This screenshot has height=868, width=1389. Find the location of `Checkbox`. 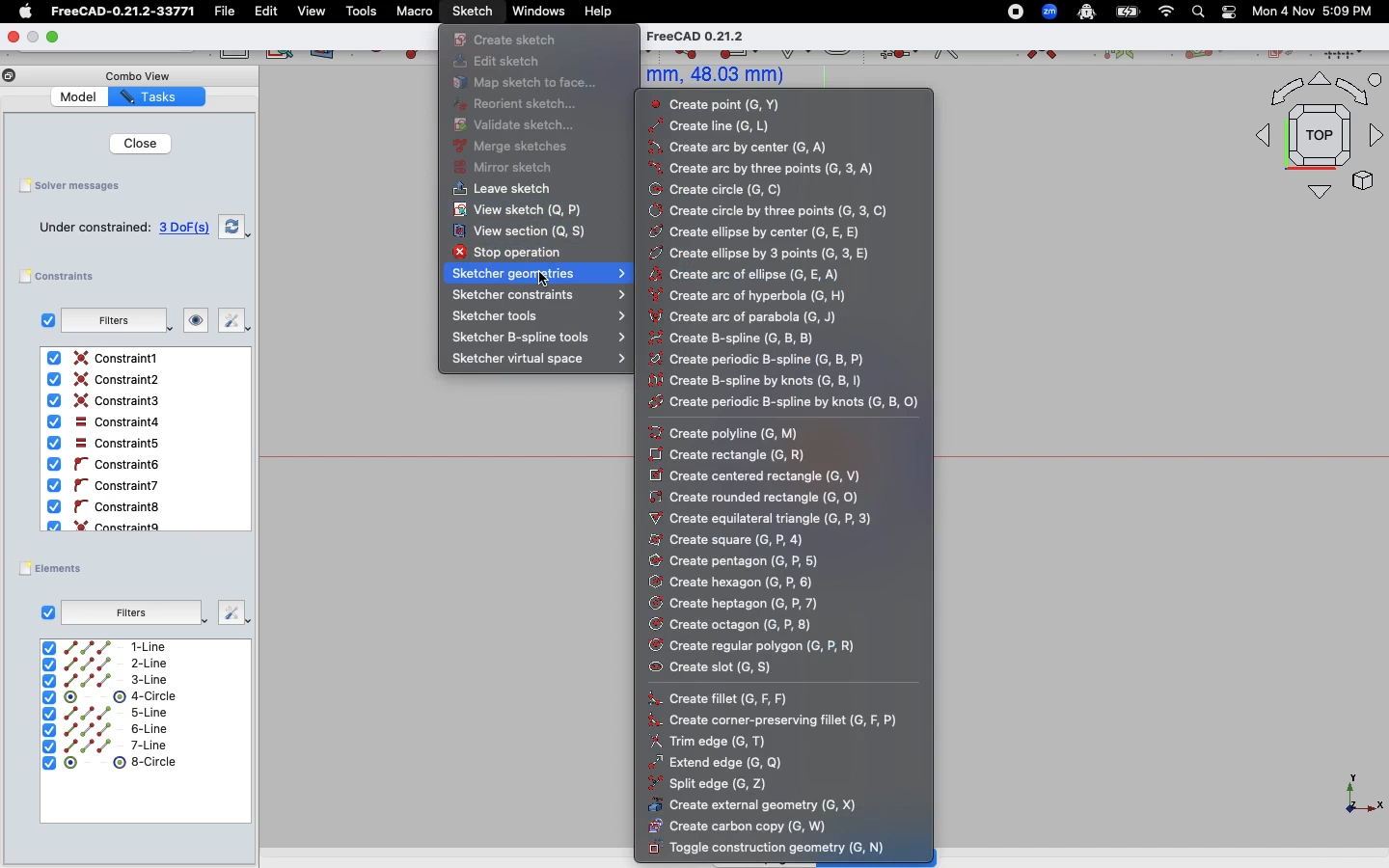

Checkbox is located at coordinates (48, 611).